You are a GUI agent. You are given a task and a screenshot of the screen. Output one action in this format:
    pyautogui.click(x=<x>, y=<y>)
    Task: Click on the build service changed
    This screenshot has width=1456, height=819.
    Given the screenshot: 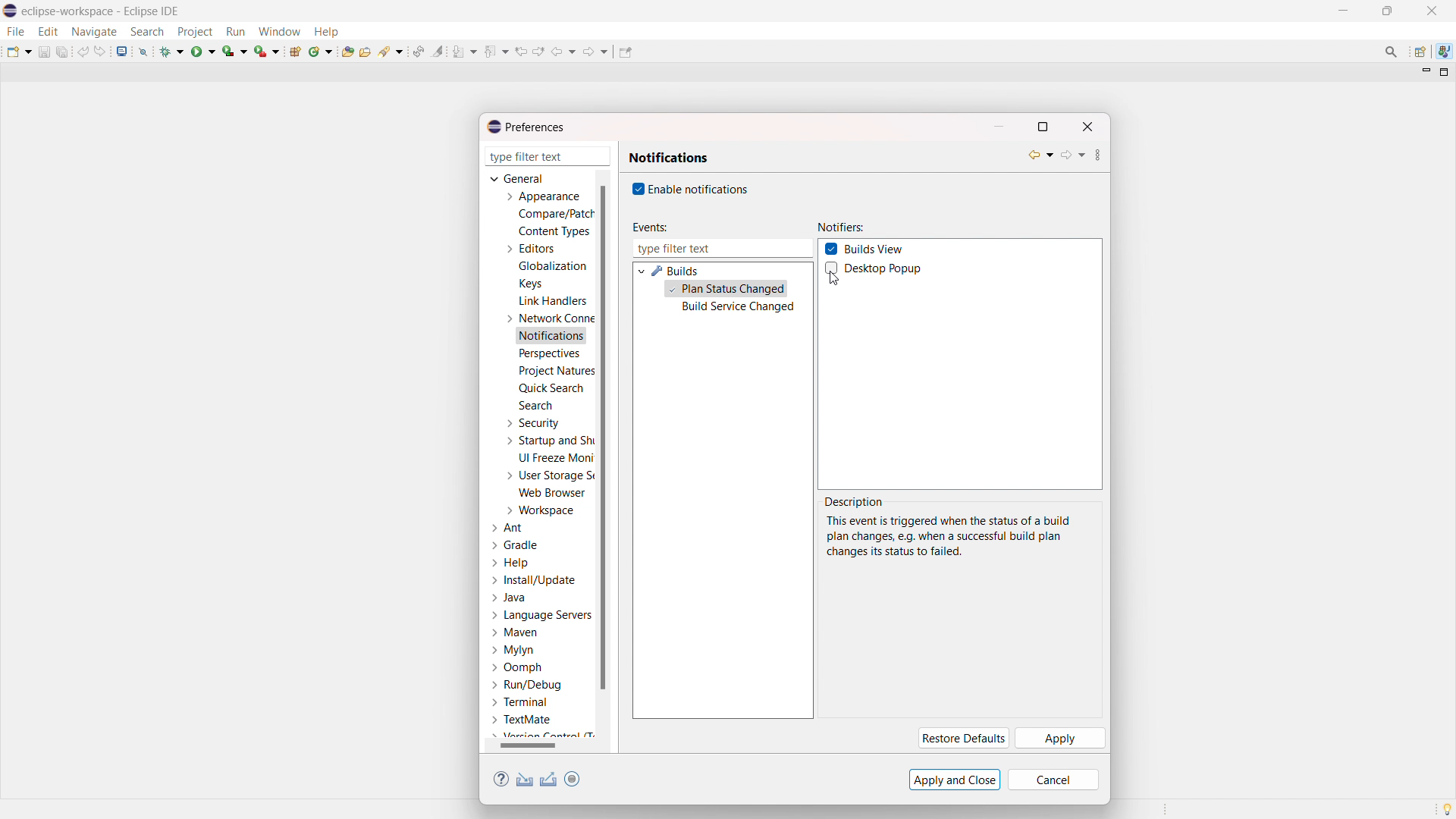 What is the action you would take?
    pyautogui.click(x=738, y=308)
    